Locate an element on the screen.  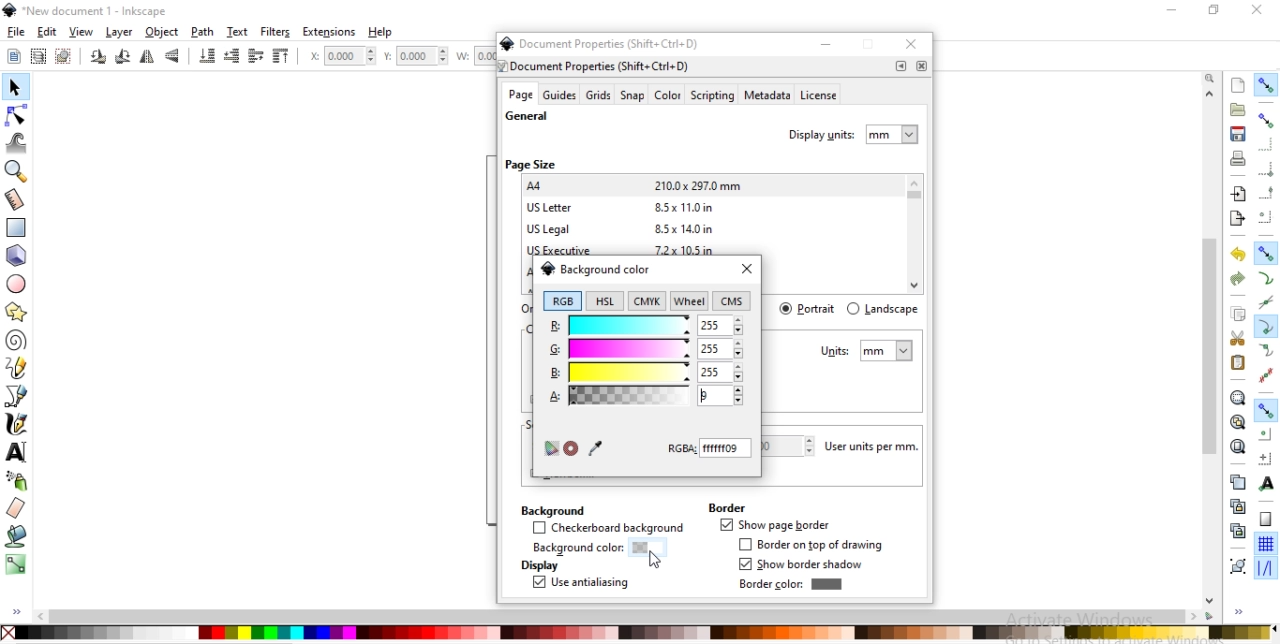
draw calligraphic or brush strokes is located at coordinates (19, 424).